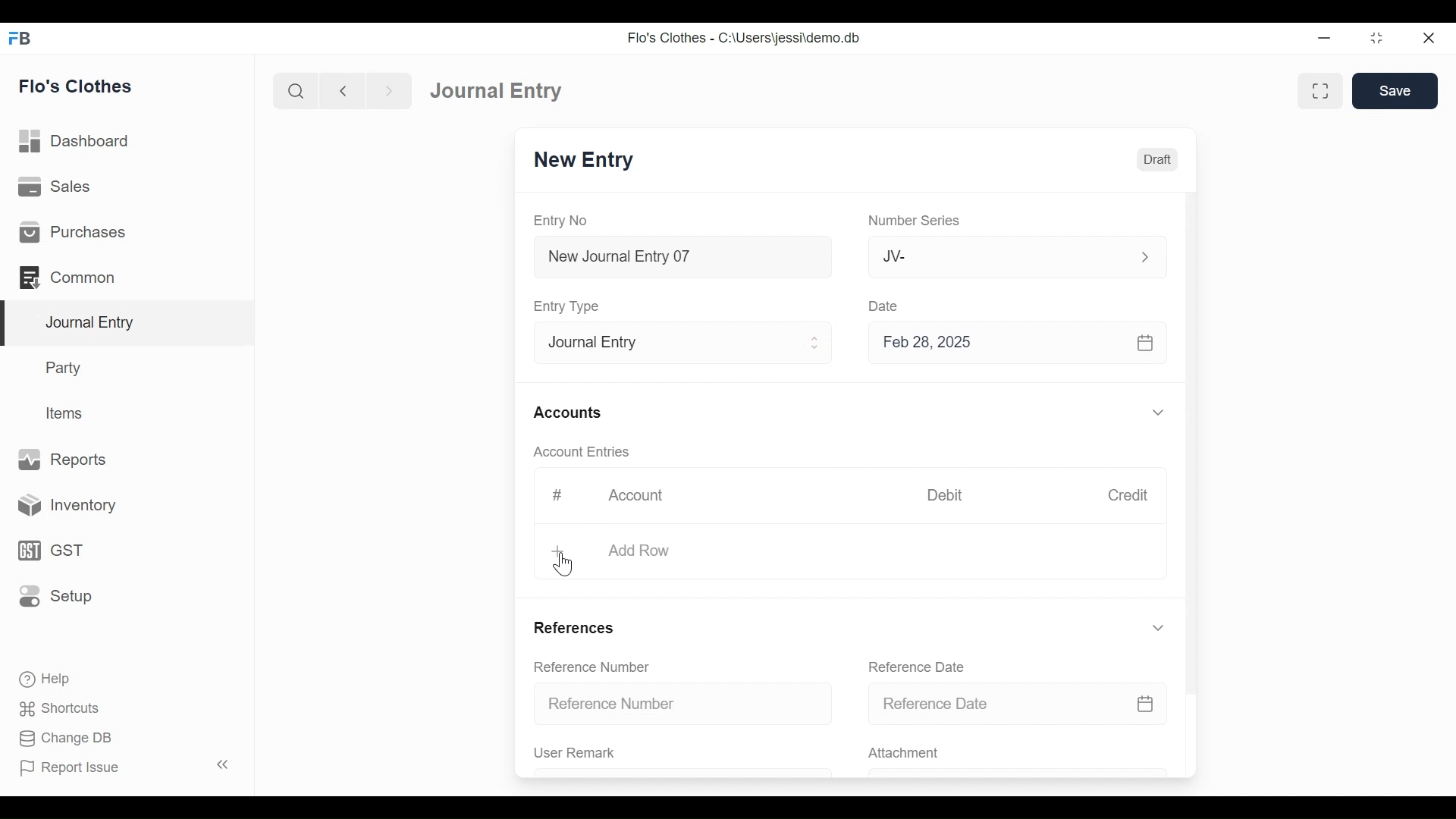 Image resolution: width=1456 pixels, height=819 pixels. I want to click on Expand, so click(1160, 627).